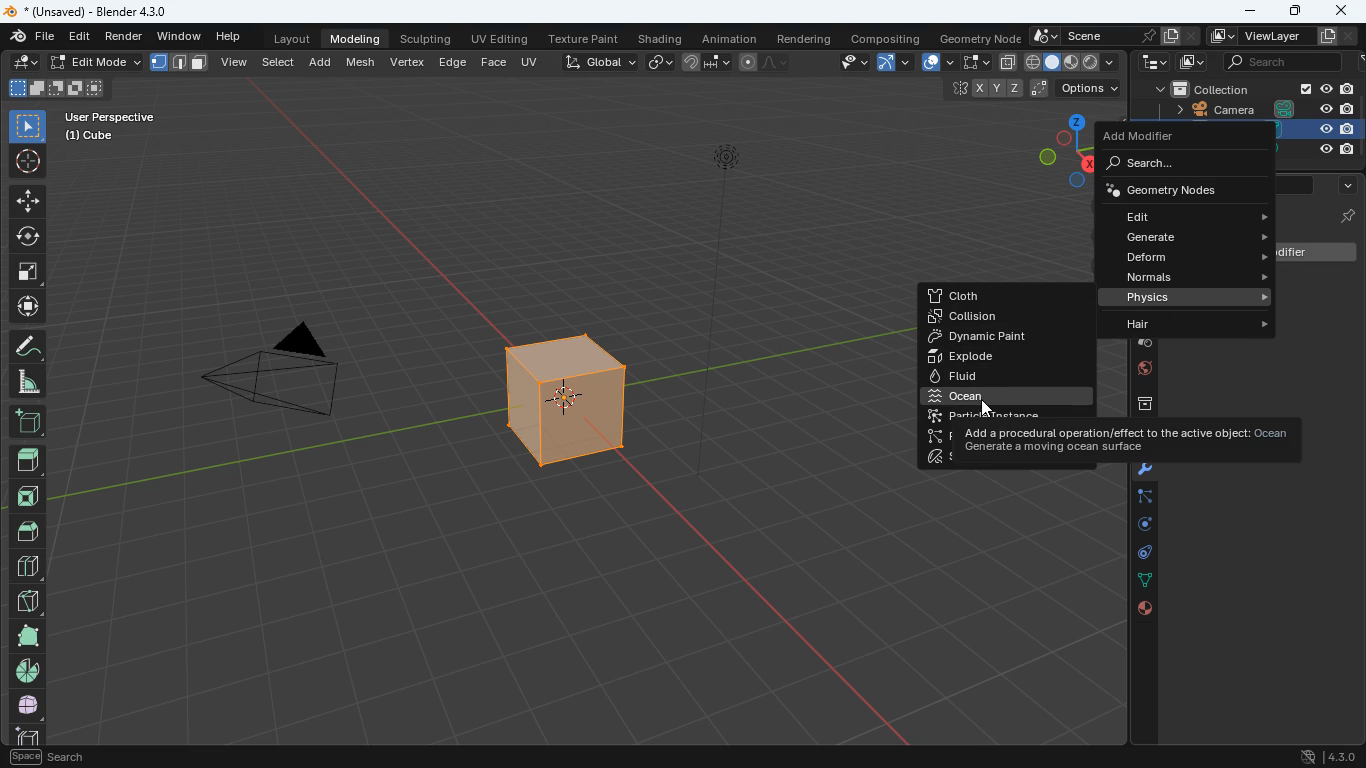 The image size is (1366, 768). What do you see at coordinates (93, 63) in the screenshot?
I see `edit mode` at bounding box center [93, 63].